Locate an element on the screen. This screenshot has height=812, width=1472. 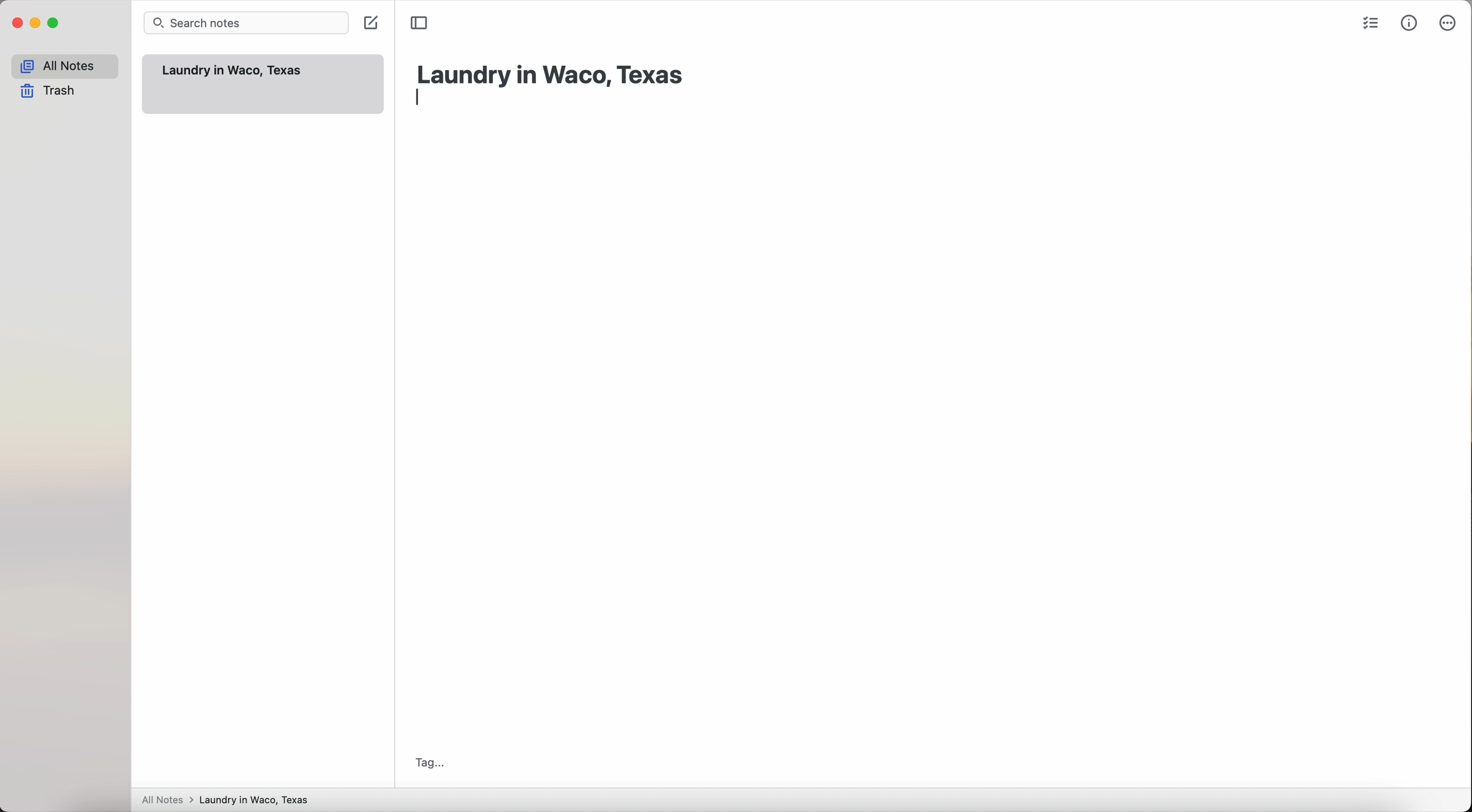
all notes is located at coordinates (65, 66).